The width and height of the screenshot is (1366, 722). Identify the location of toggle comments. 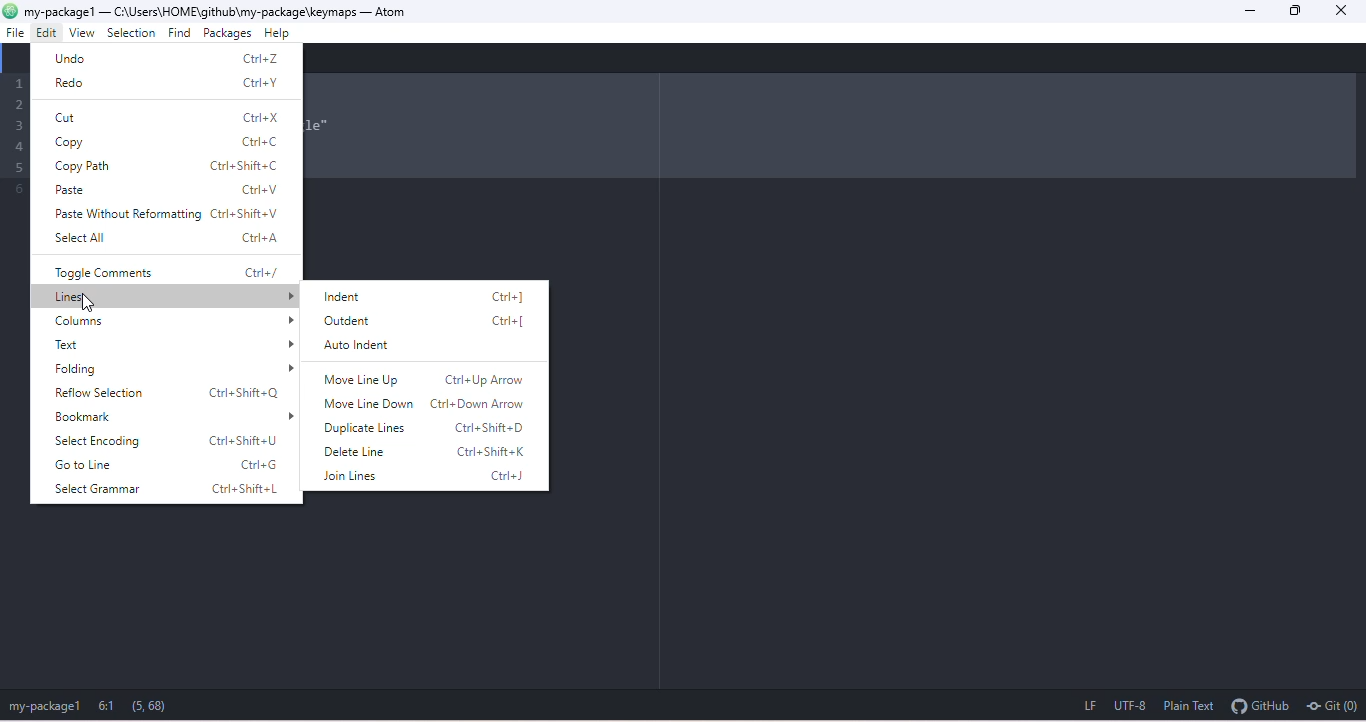
(166, 272).